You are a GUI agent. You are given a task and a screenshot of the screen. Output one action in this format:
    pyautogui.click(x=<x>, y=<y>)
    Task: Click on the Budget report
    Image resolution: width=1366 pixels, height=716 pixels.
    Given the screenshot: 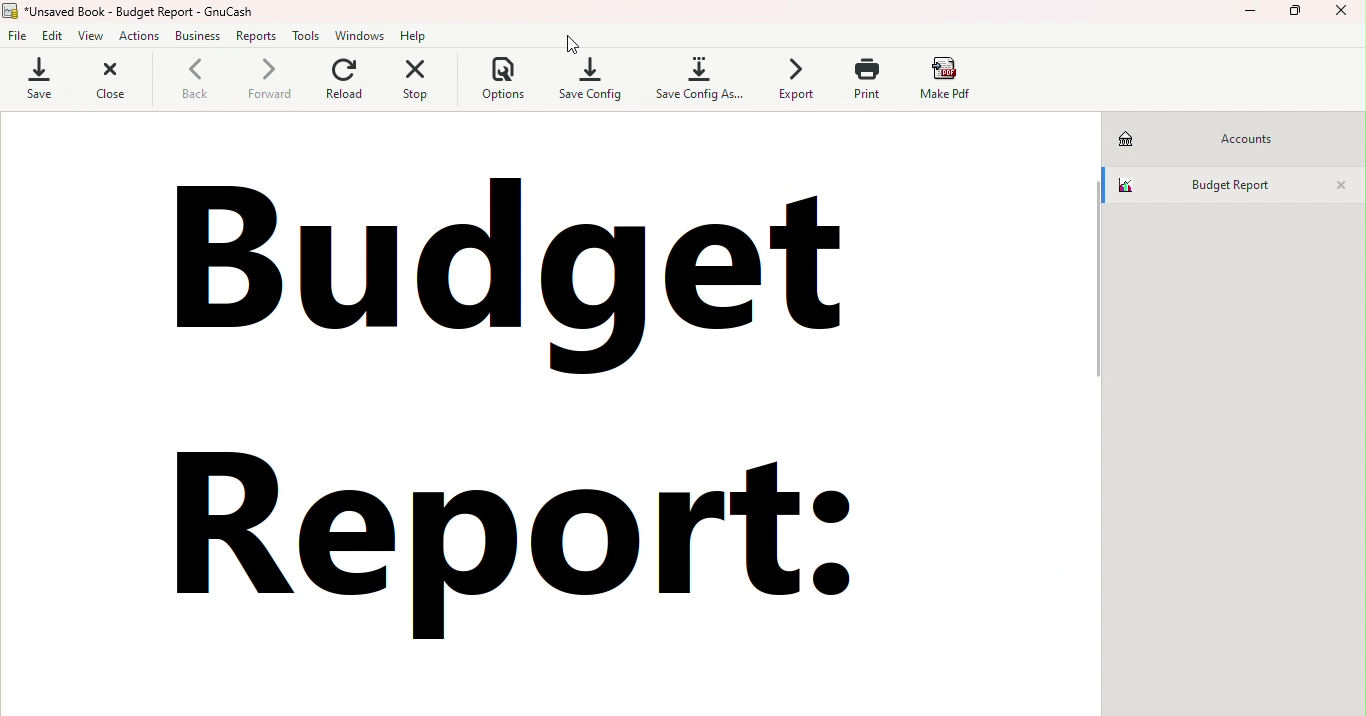 What is the action you would take?
    pyautogui.click(x=1208, y=183)
    